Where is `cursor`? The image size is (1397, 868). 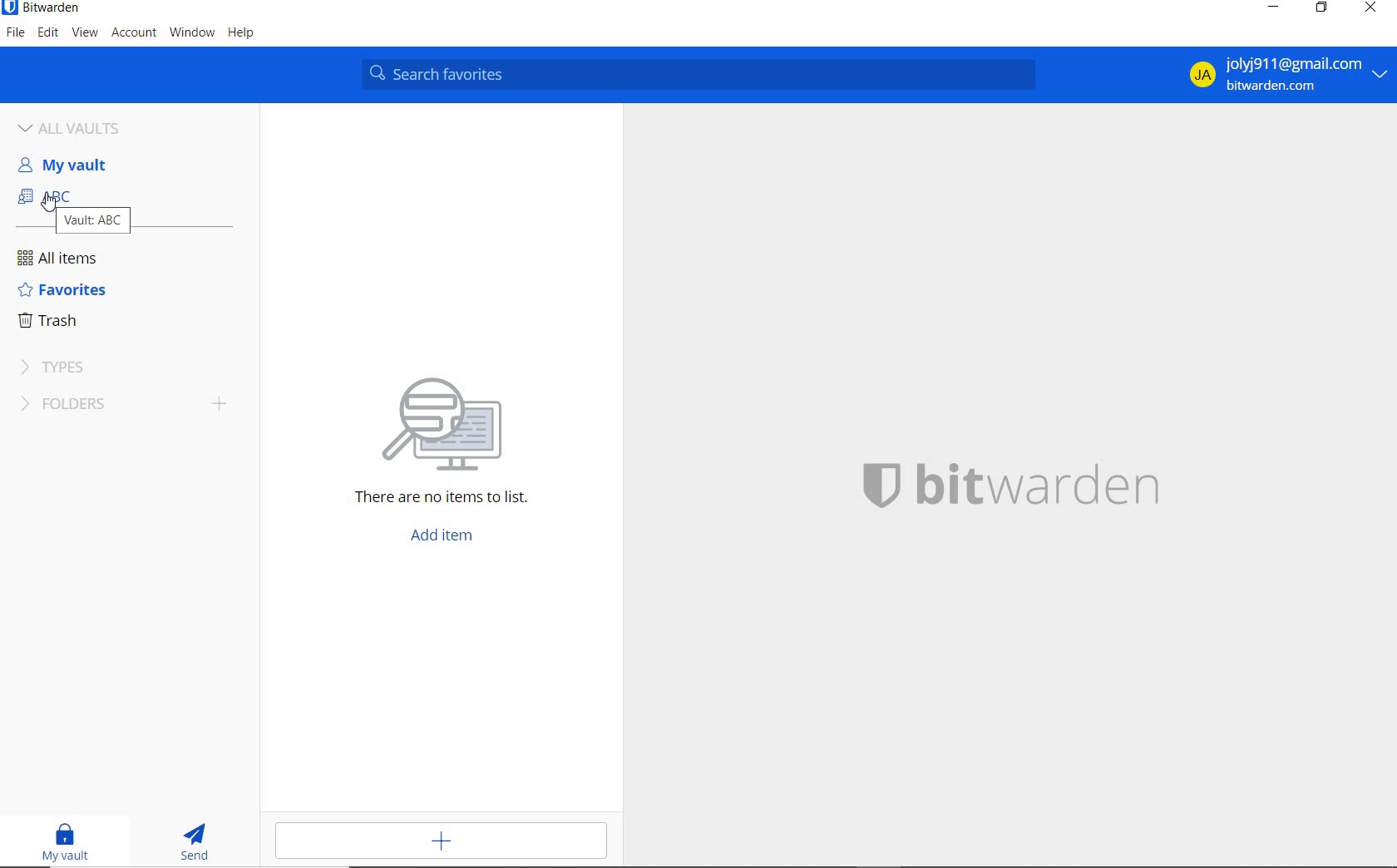 cursor is located at coordinates (48, 202).